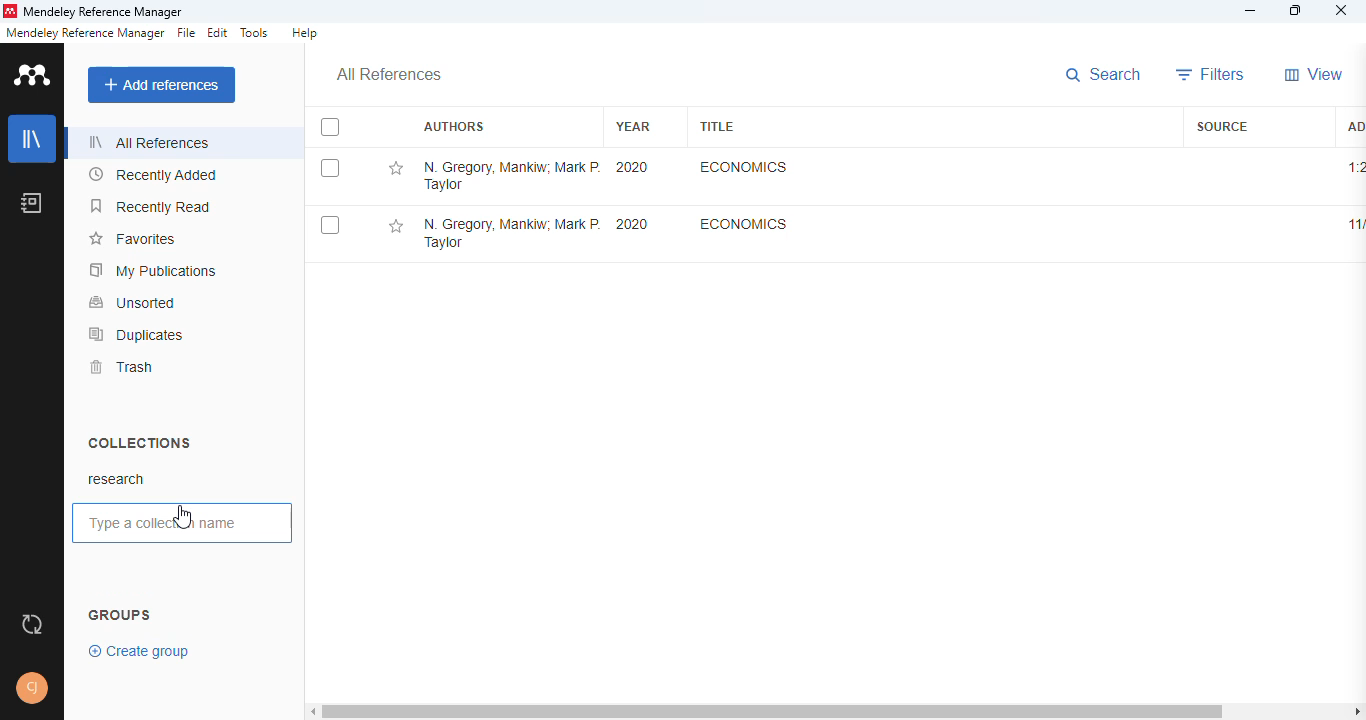 Image resolution: width=1366 pixels, height=720 pixels. I want to click on added, so click(1353, 125).